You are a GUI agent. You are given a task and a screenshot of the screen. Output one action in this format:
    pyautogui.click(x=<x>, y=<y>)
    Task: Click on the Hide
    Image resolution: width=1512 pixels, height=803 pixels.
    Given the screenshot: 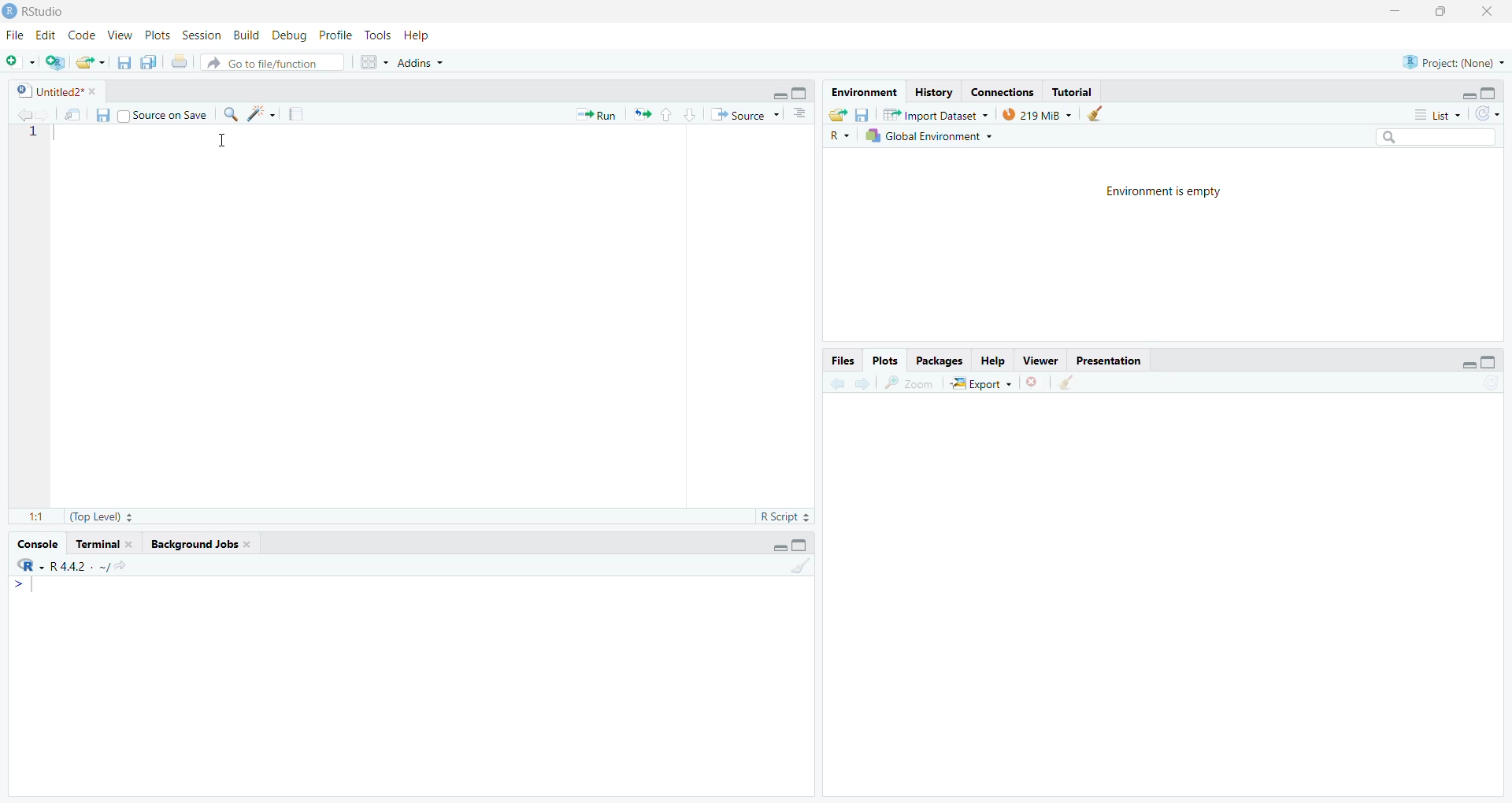 What is the action you would take?
    pyautogui.click(x=779, y=546)
    